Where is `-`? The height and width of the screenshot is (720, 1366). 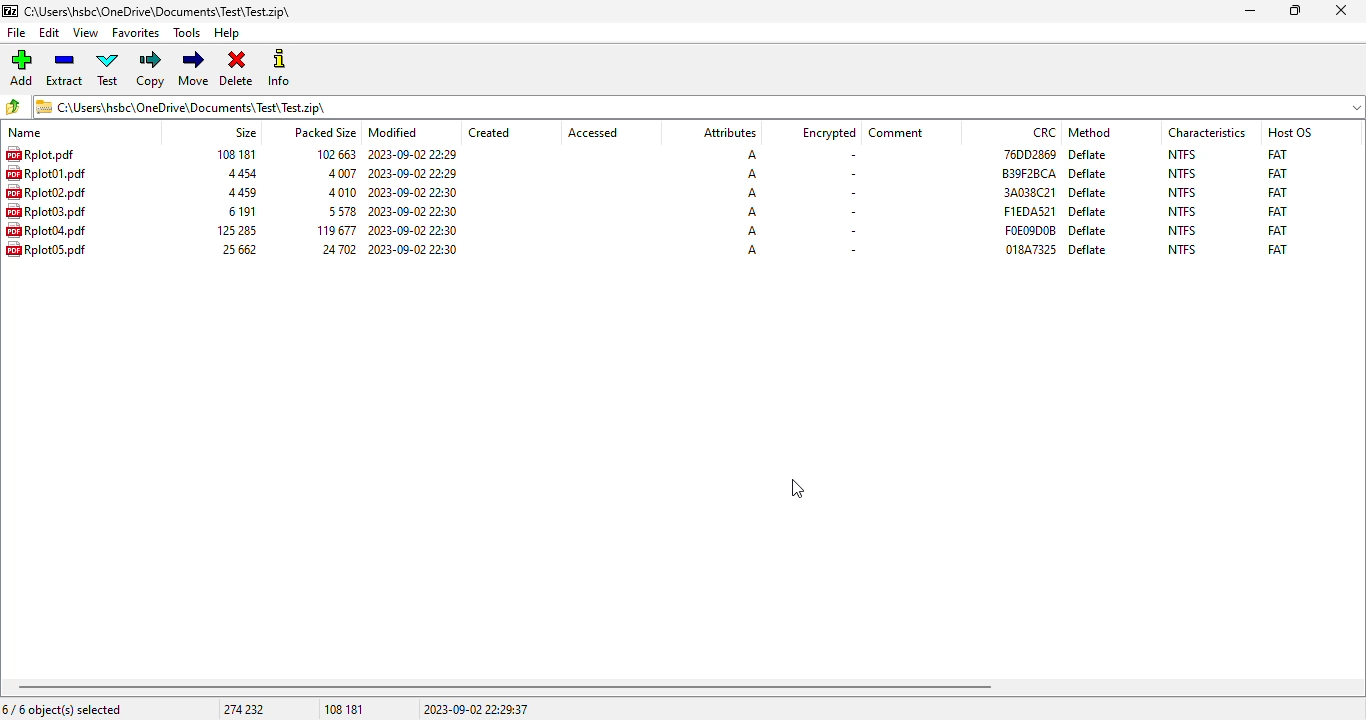
- is located at coordinates (850, 213).